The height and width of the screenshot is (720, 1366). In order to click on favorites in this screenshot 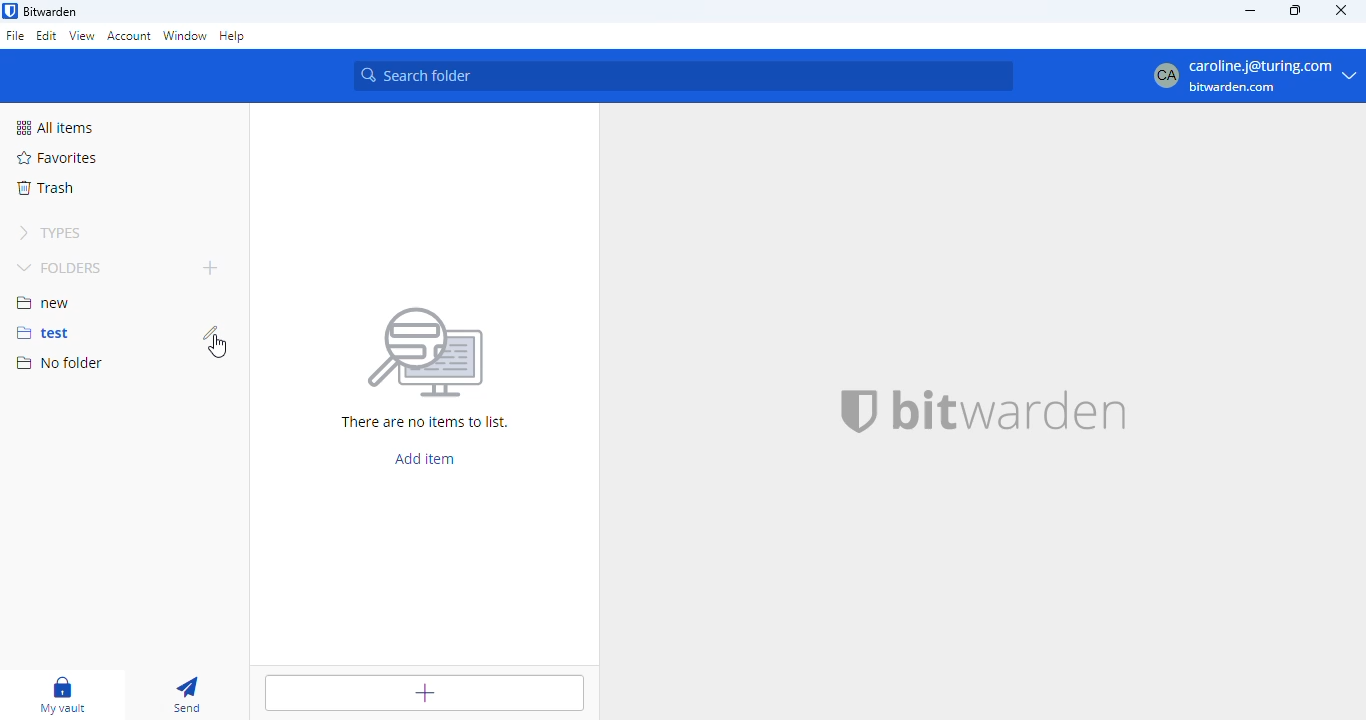, I will do `click(58, 158)`.